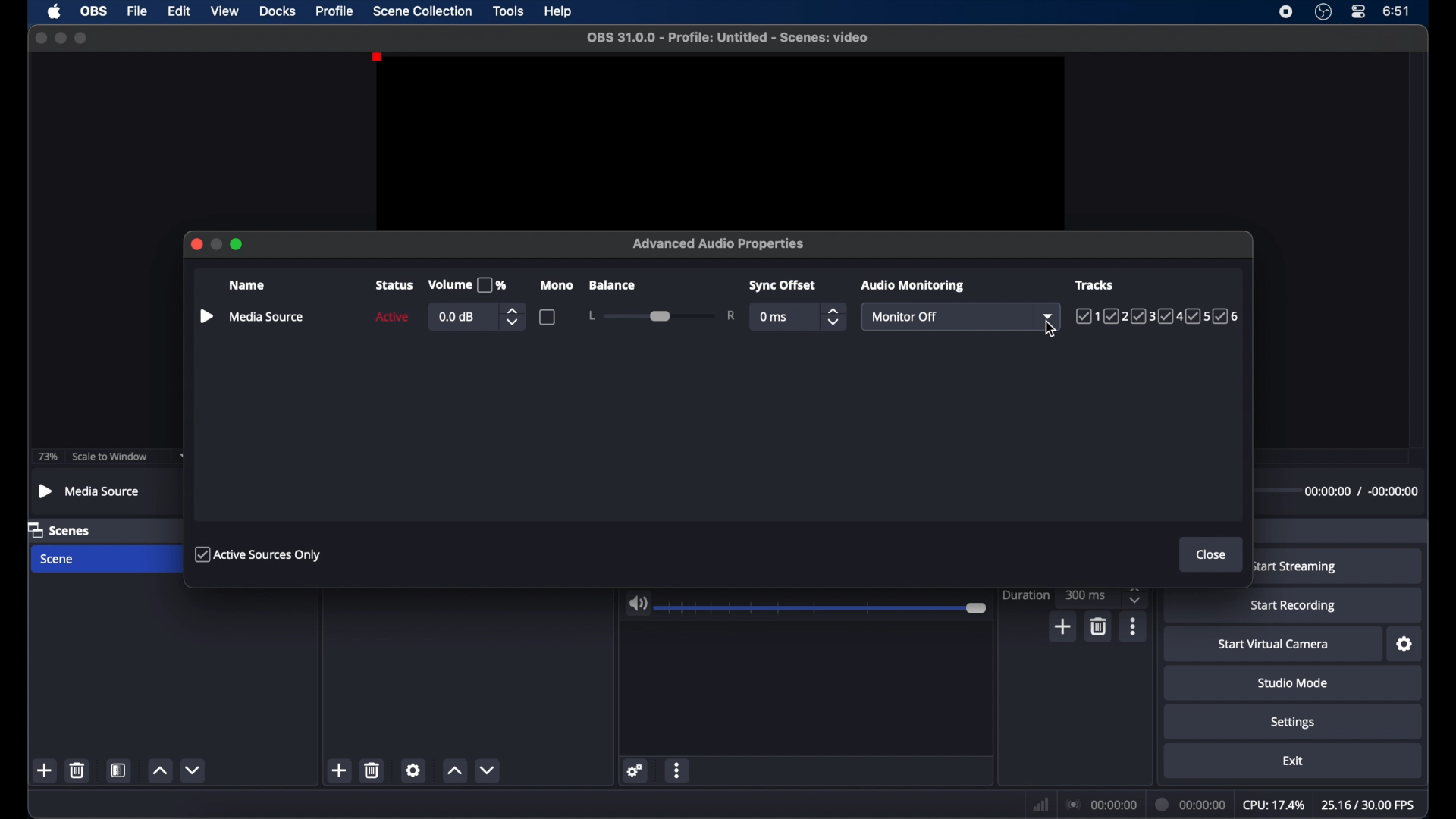  What do you see at coordinates (782, 285) in the screenshot?
I see `syncoffset` at bounding box center [782, 285].